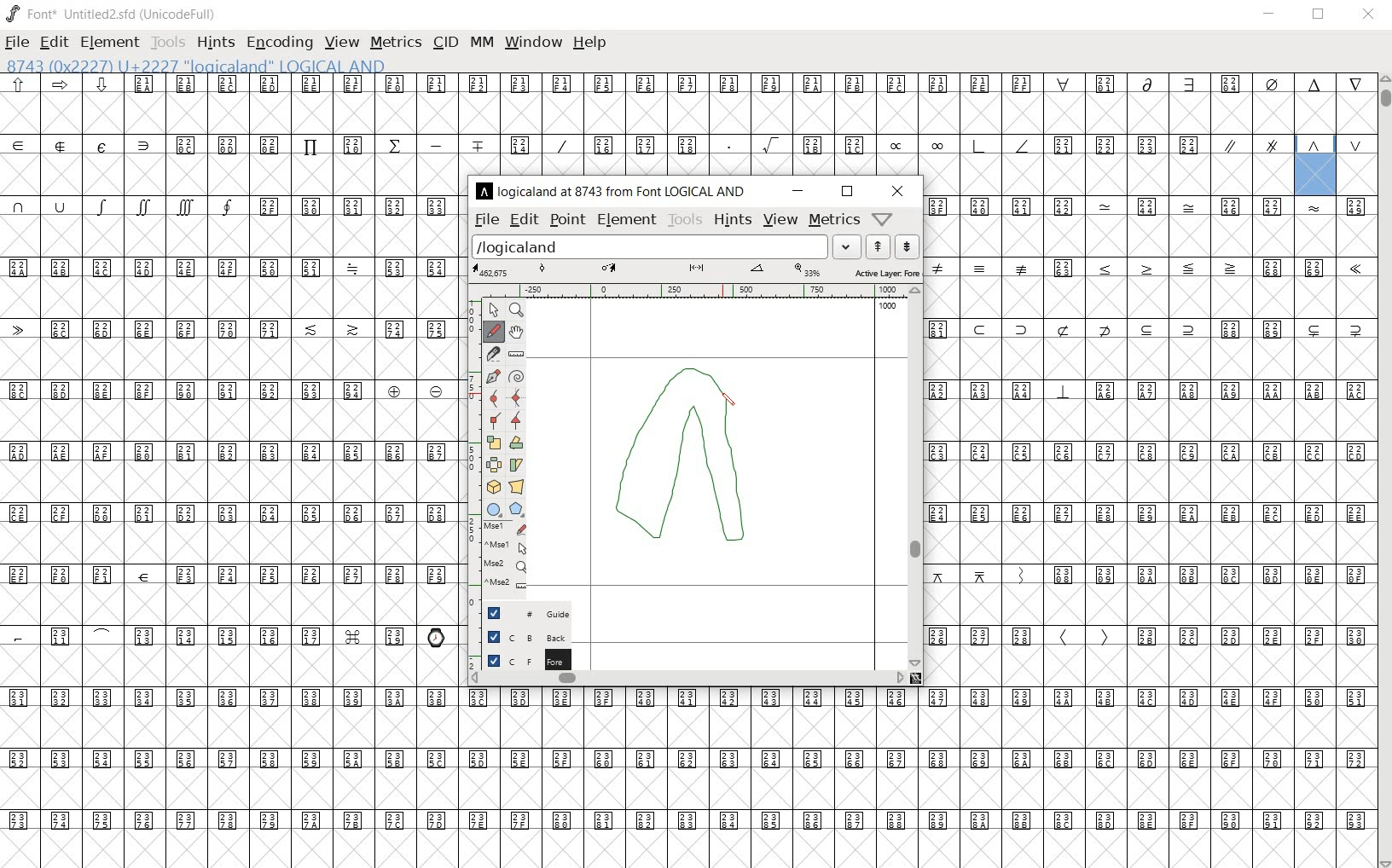 Image resolution: width=1392 pixels, height=868 pixels. Describe the element at coordinates (731, 222) in the screenshot. I see `hints` at that location.